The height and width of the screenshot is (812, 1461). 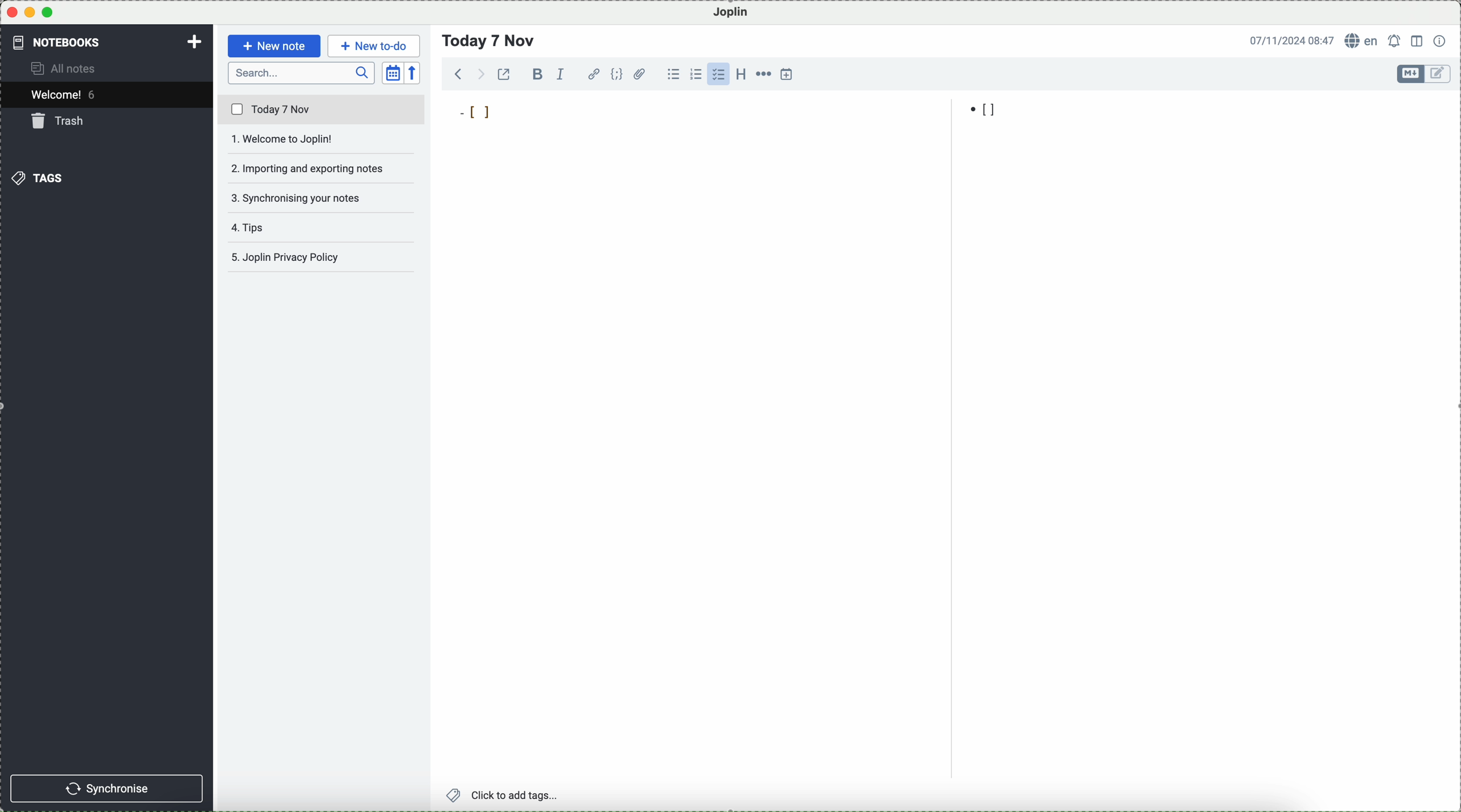 What do you see at coordinates (617, 74) in the screenshot?
I see `code` at bounding box center [617, 74].